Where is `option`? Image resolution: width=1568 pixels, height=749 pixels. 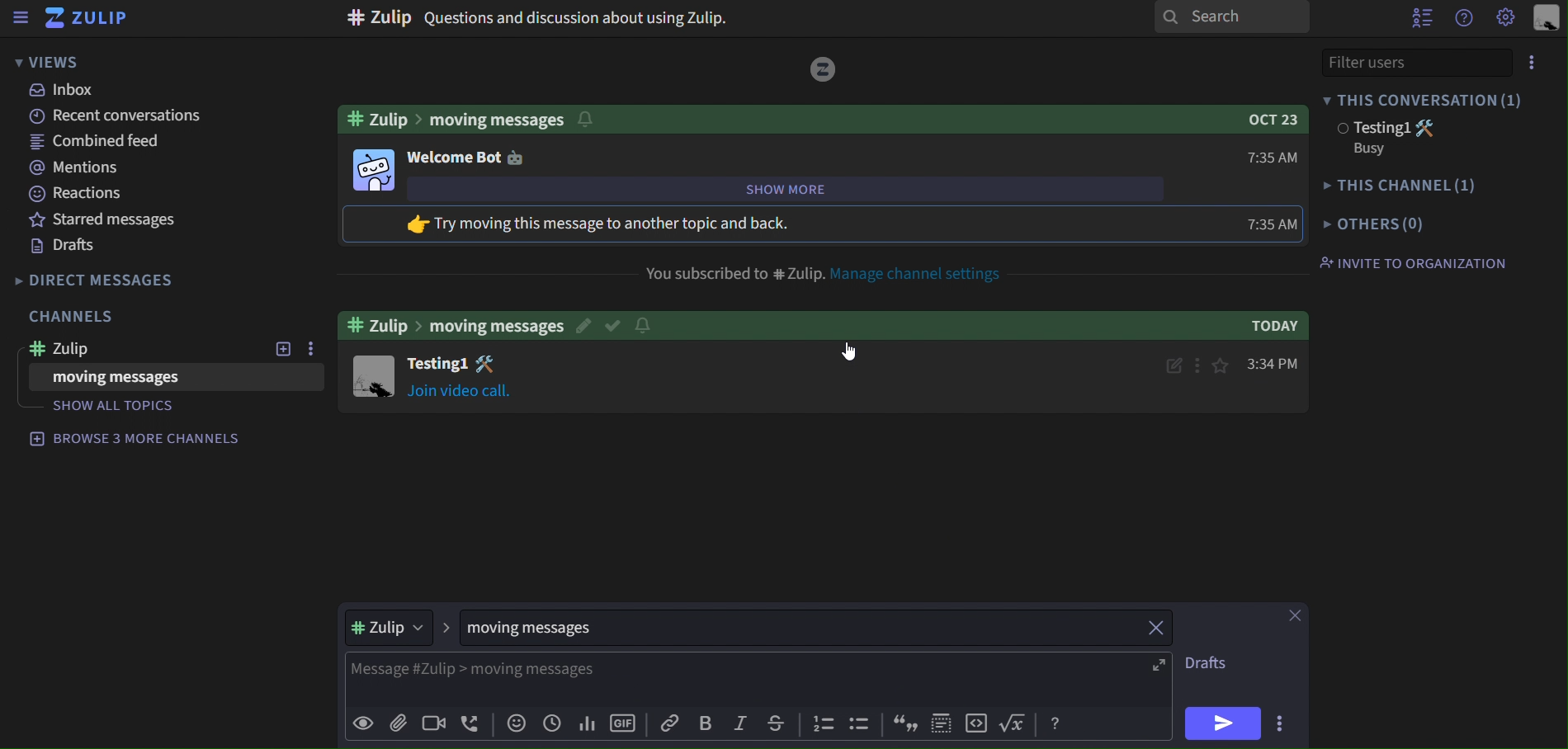
option is located at coordinates (308, 350).